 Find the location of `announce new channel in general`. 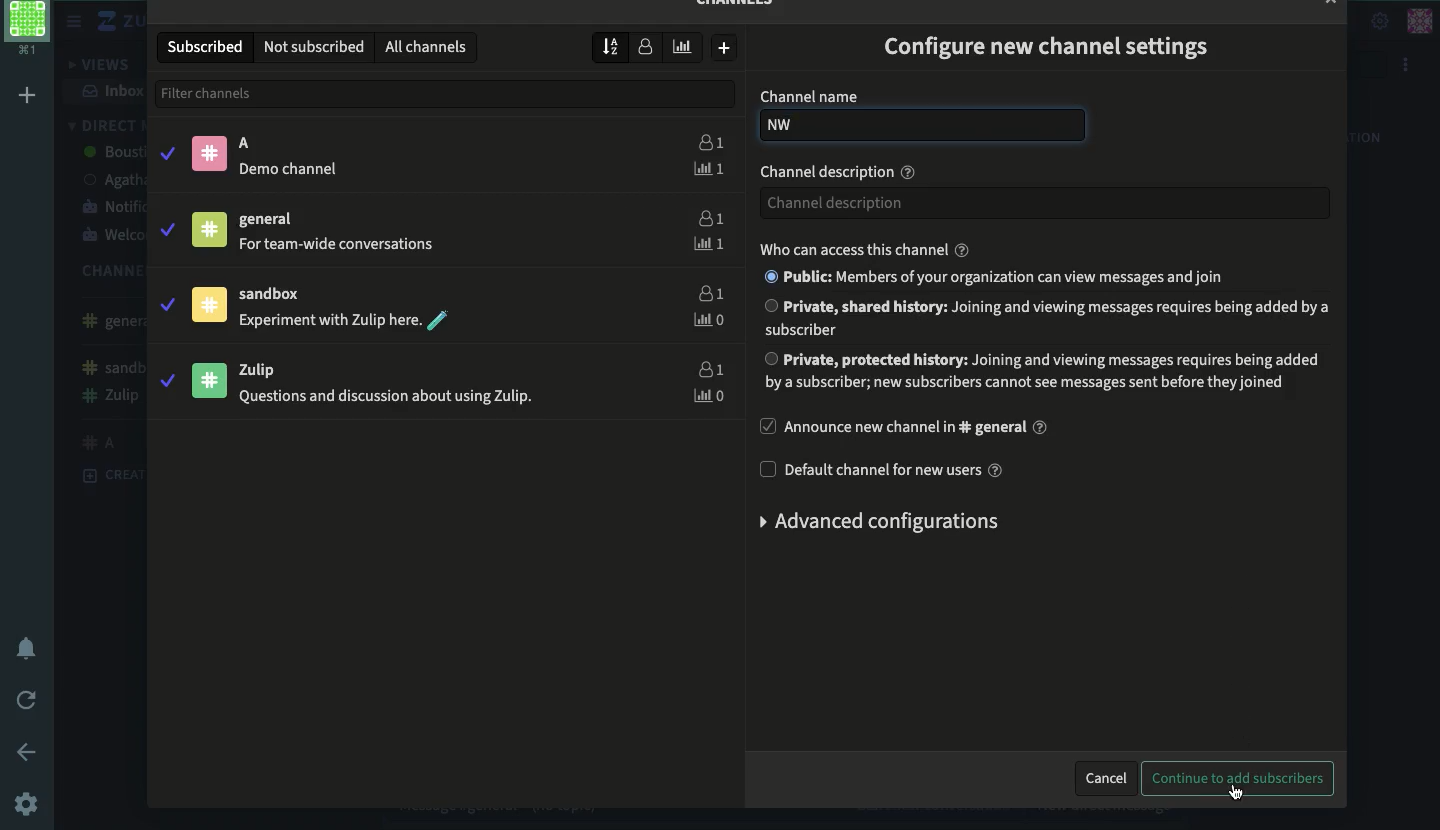

announce new channel in general is located at coordinates (909, 428).